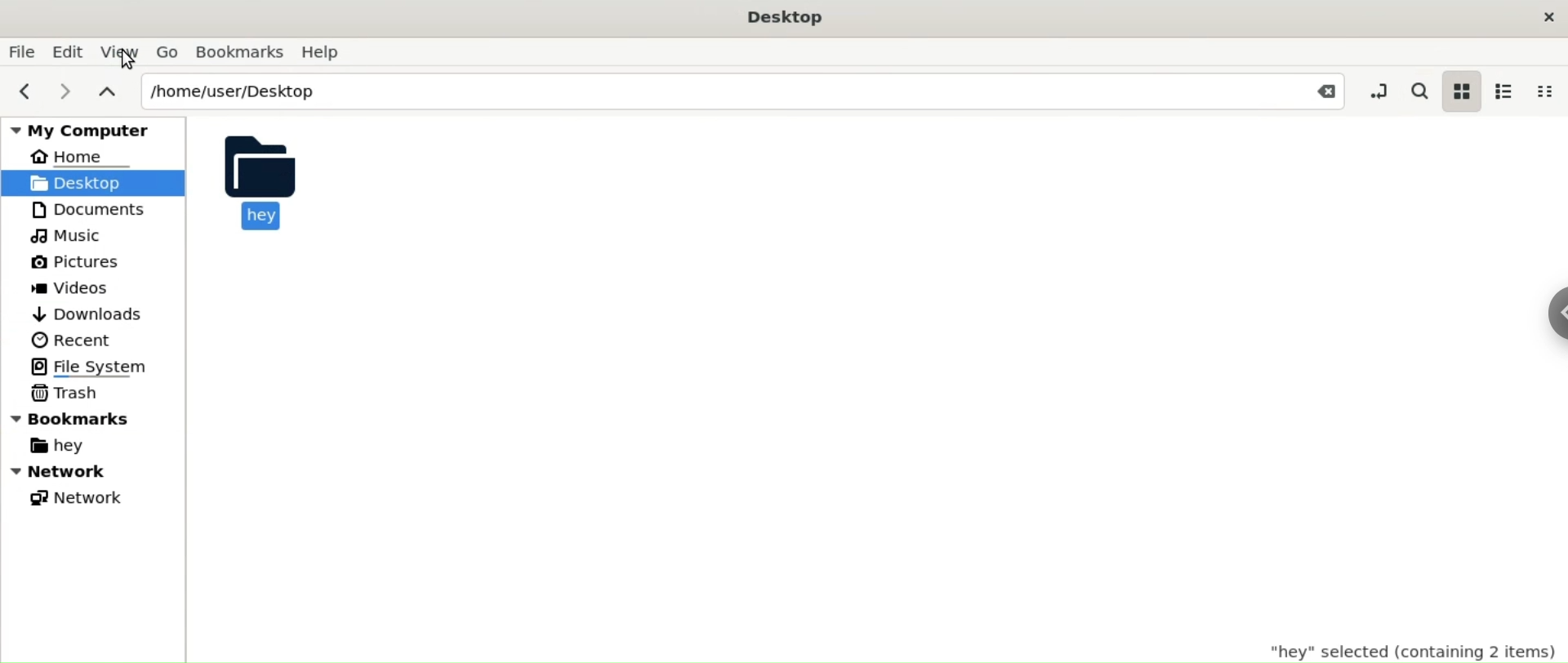 Image resolution: width=1568 pixels, height=663 pixels. What do you see at coordinates (129, 65) in the screenshot?
I see `Cursor` at bounding box center [129, 65].